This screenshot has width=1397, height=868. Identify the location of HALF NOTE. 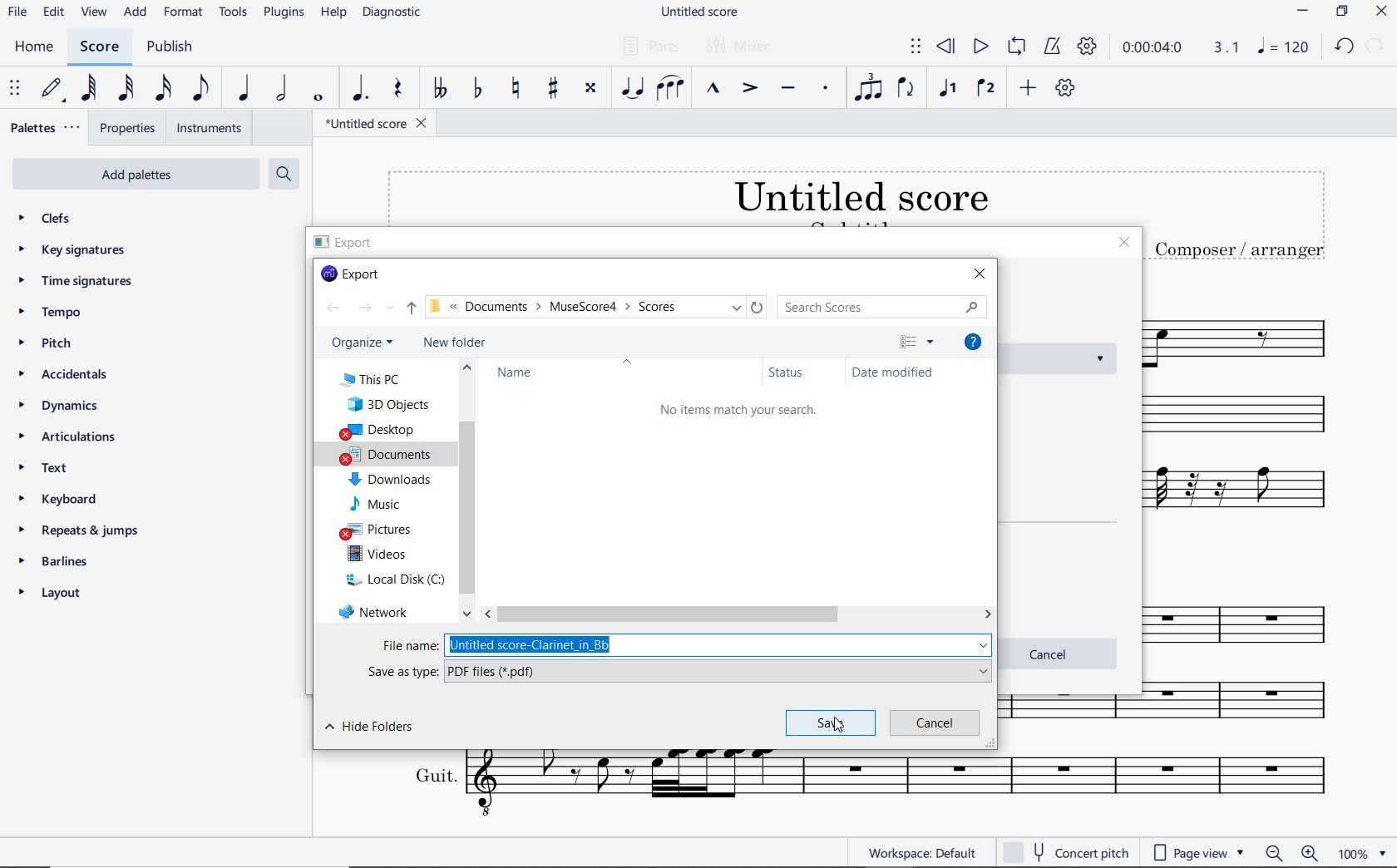
(282, 90).